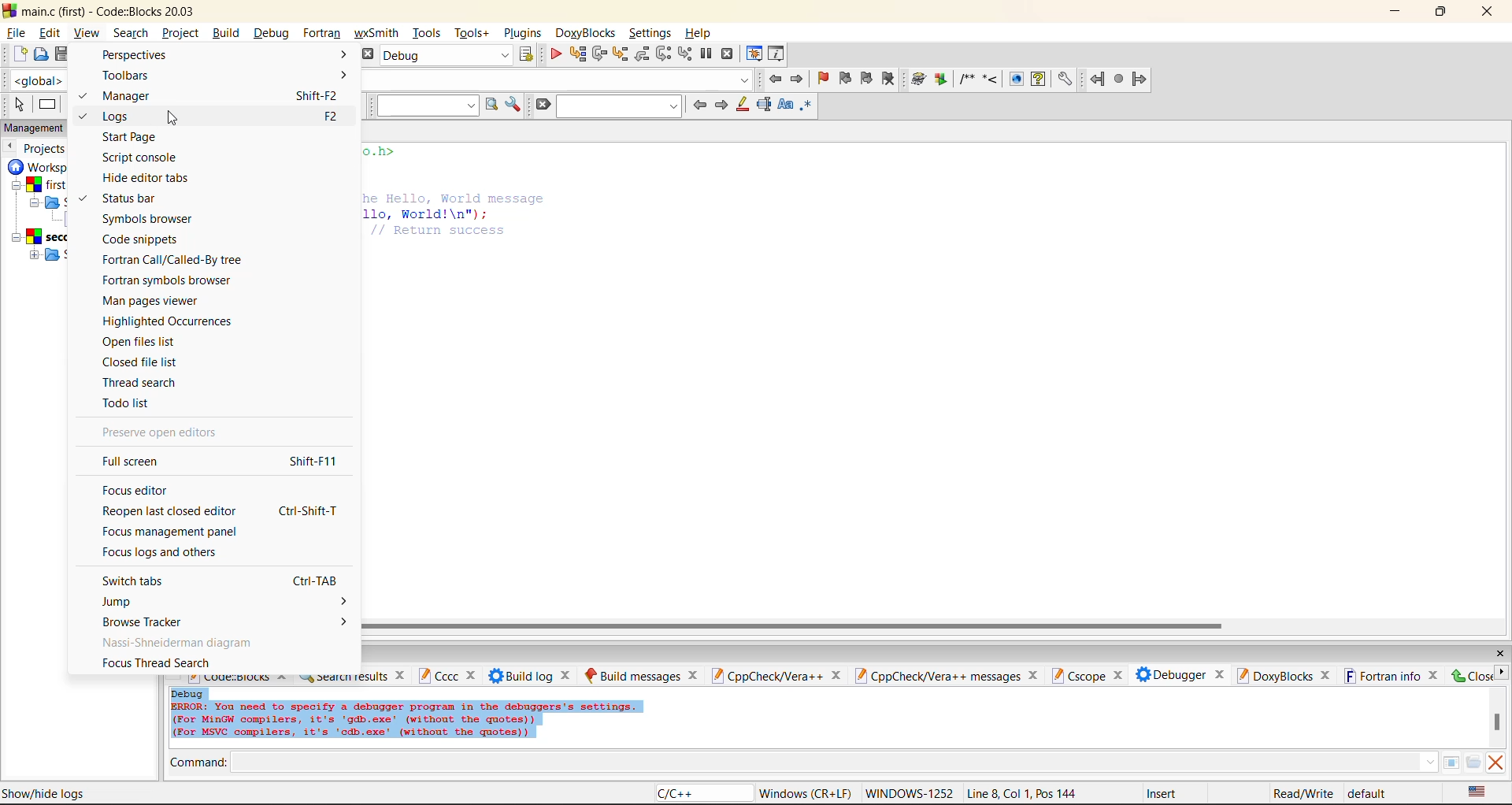 This screenshot has height=805, width=1512. Describe the element at coordinates (428, 34) in the screenshot. I see `tools` at that location.